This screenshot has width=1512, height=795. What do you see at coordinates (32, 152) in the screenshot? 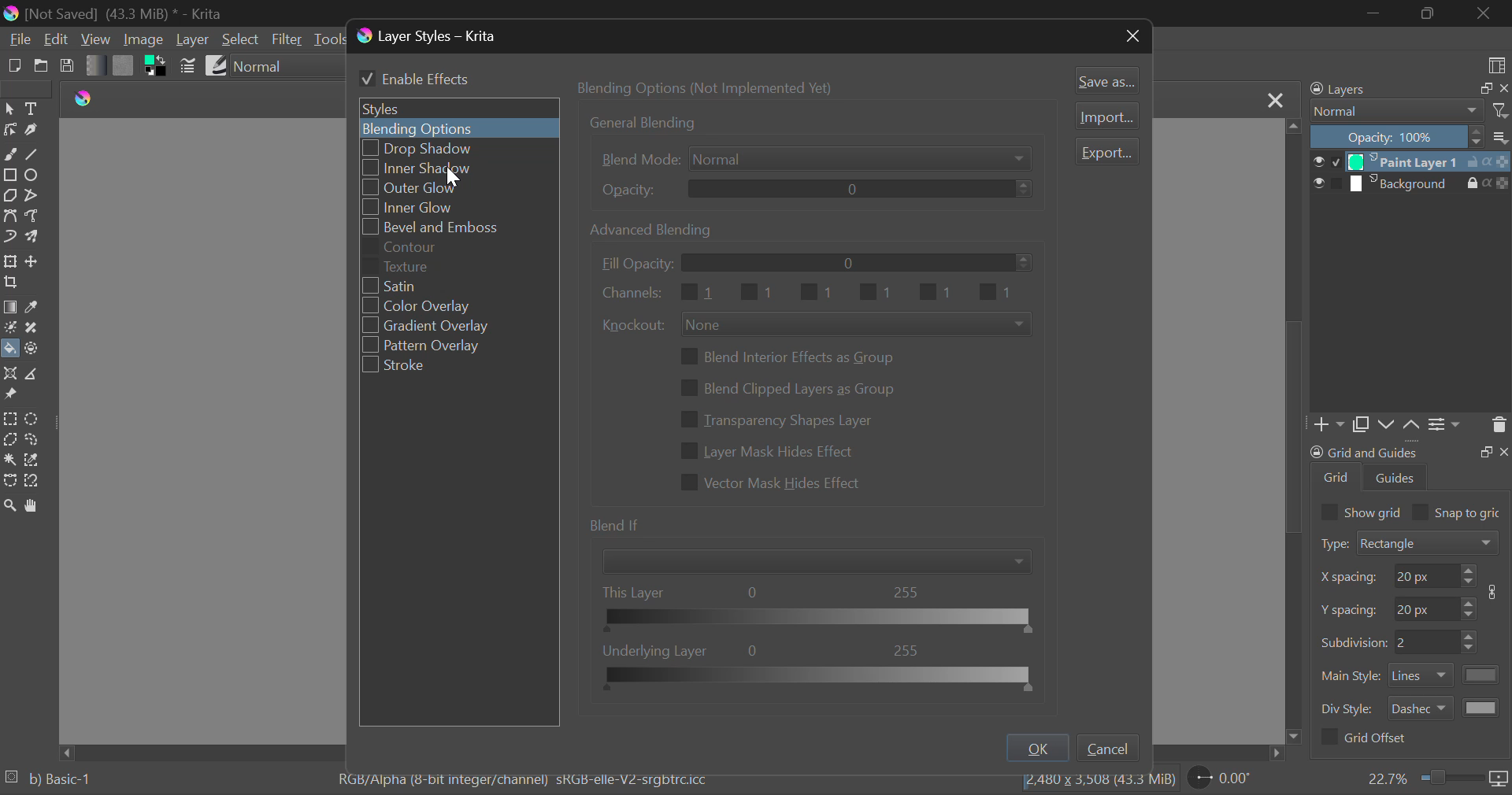
I see `Line` at bounding box center [32, 152].